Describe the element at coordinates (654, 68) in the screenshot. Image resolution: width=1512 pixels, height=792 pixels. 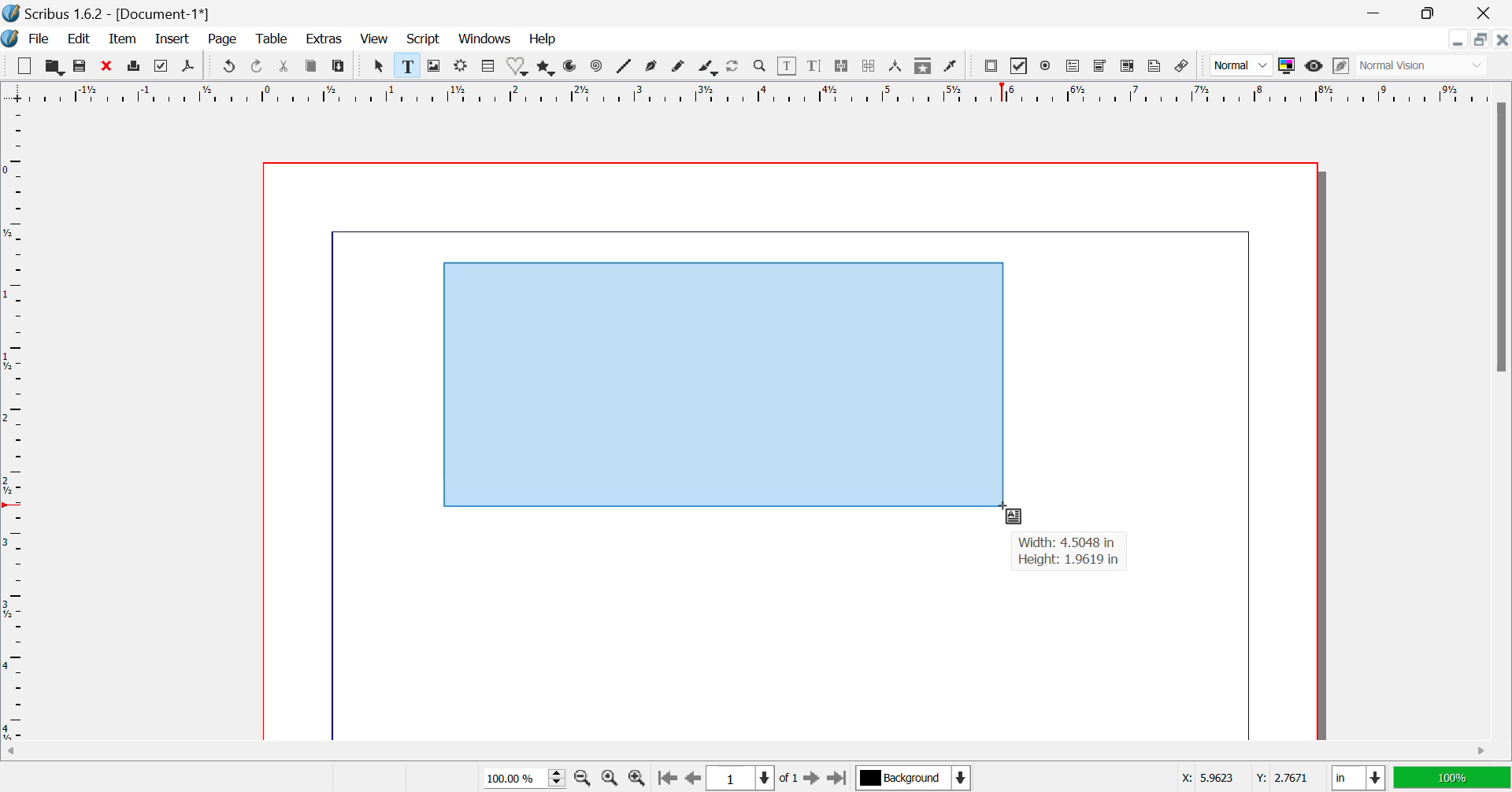
I see `Bezier Curve` at that location.